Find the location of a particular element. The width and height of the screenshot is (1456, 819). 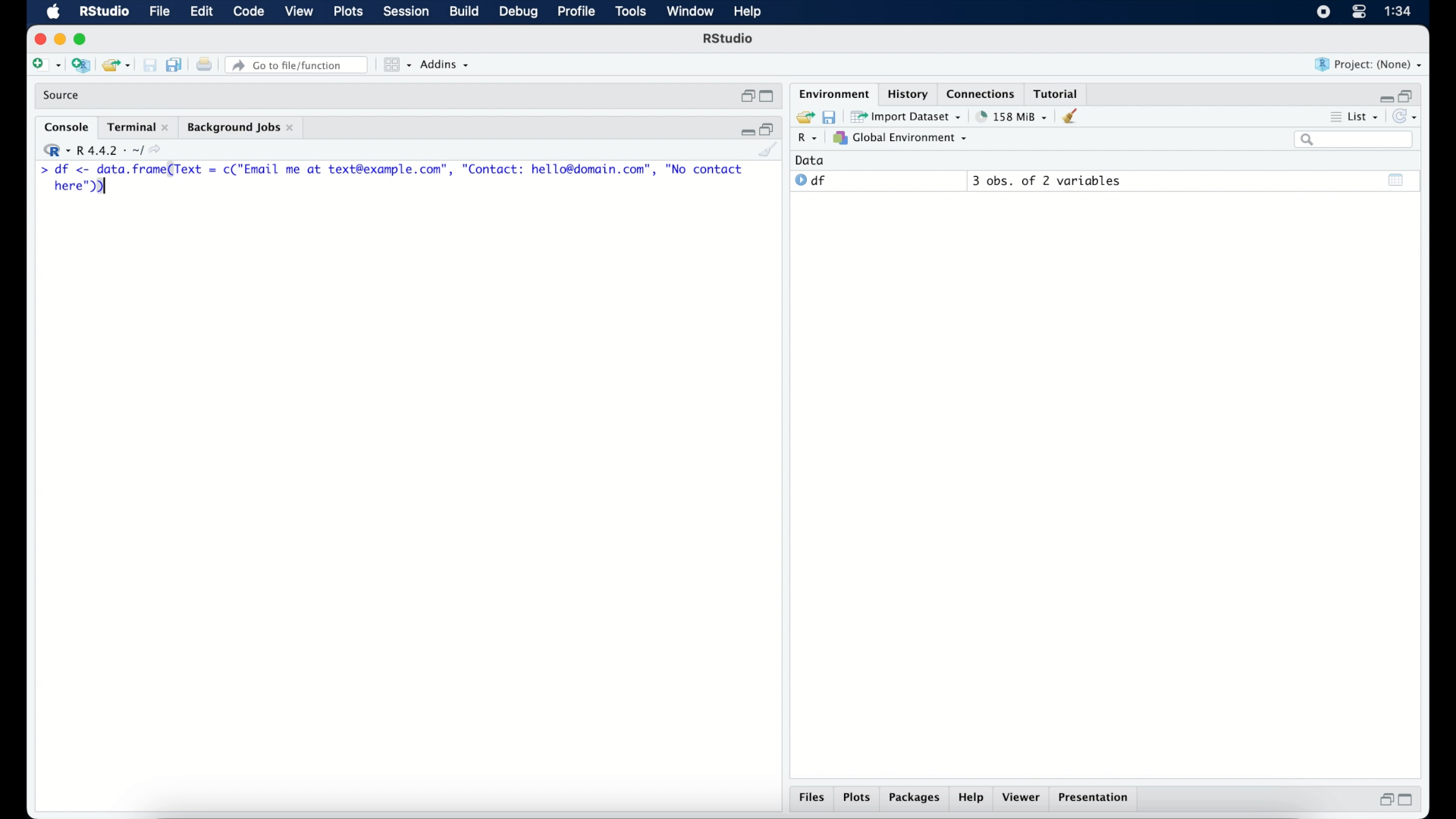

global environment is located at coordinates (905, 139).